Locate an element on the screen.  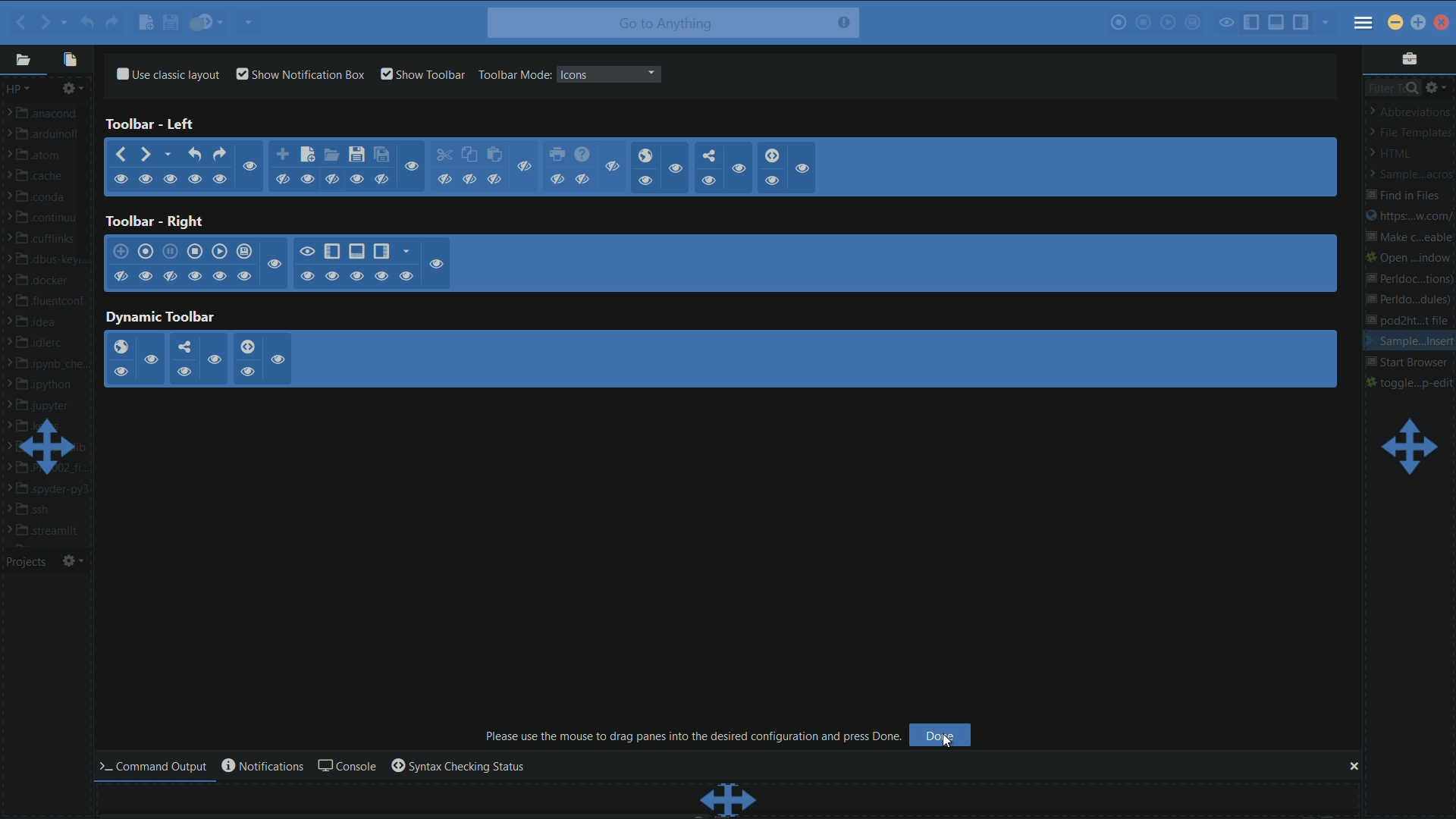
hide/show is located at coordinates (184, 370).